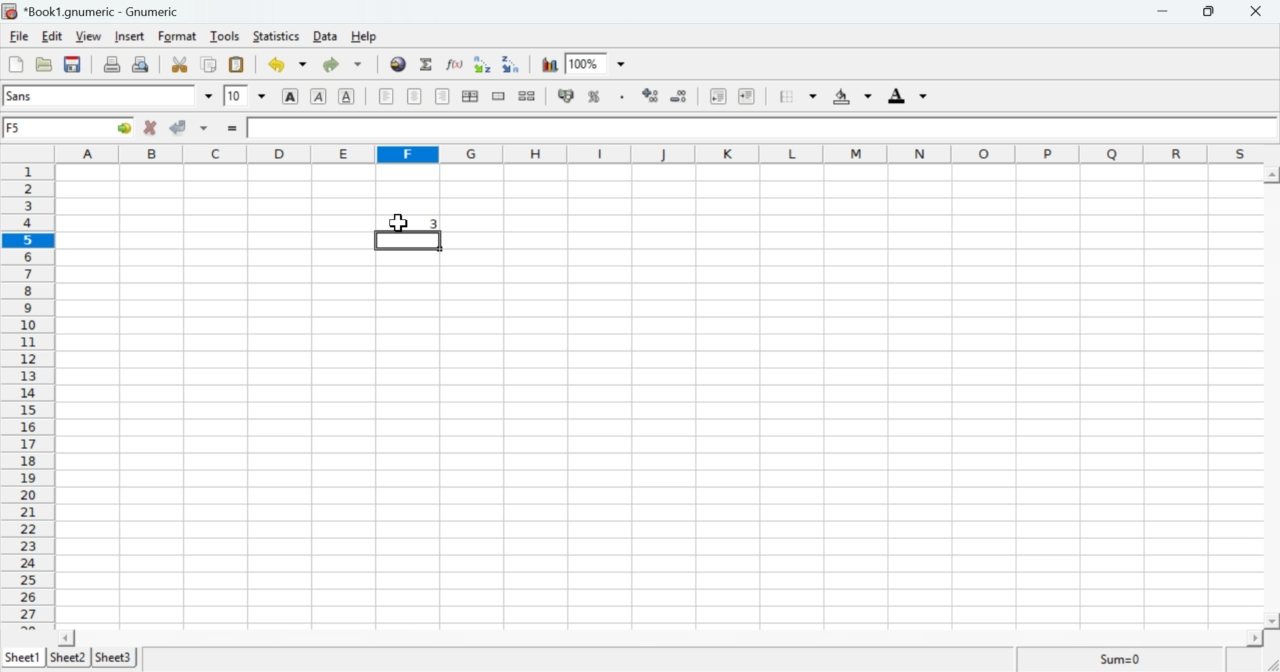 This screenshot has height=672, width=1280. What do you see at coordinates (754, 127) in the screenshot?
I see `Contents of active cell` at bounding box center [754, 127].